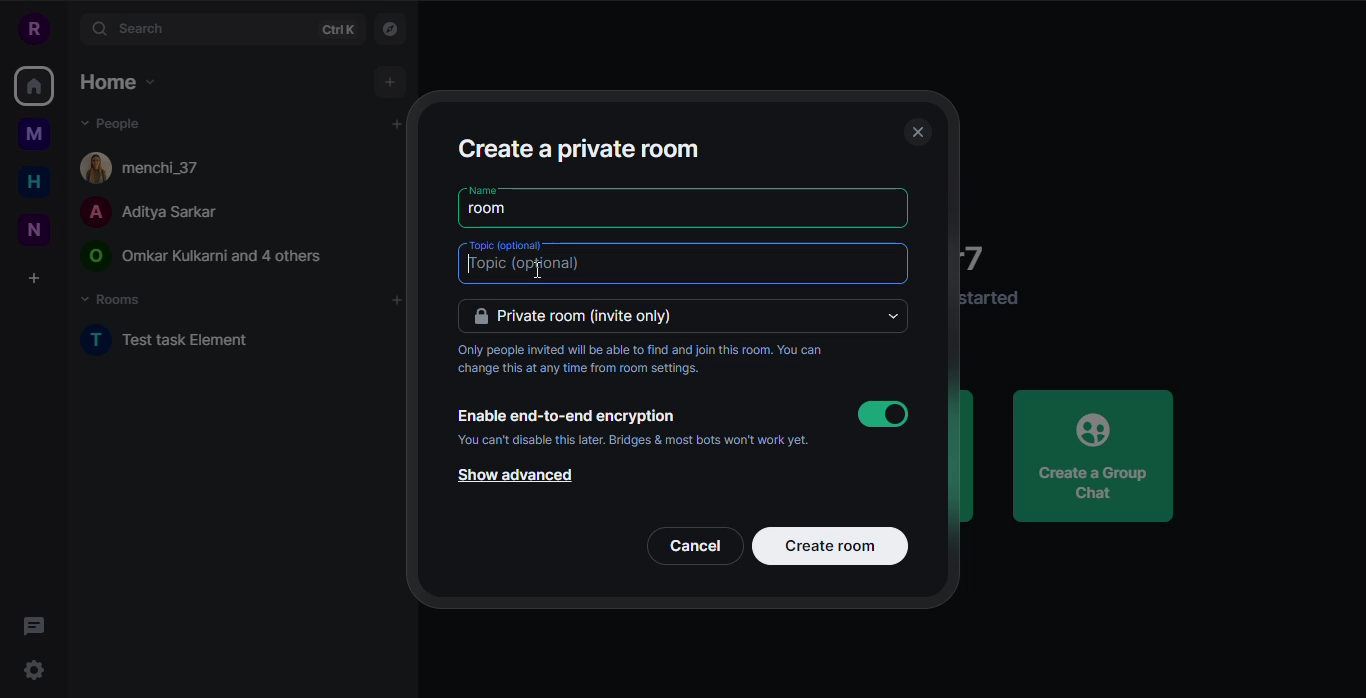  What do you see at coordinates (112, 122) in the screenshot?
I see `people` at bounding box center [112, 122].